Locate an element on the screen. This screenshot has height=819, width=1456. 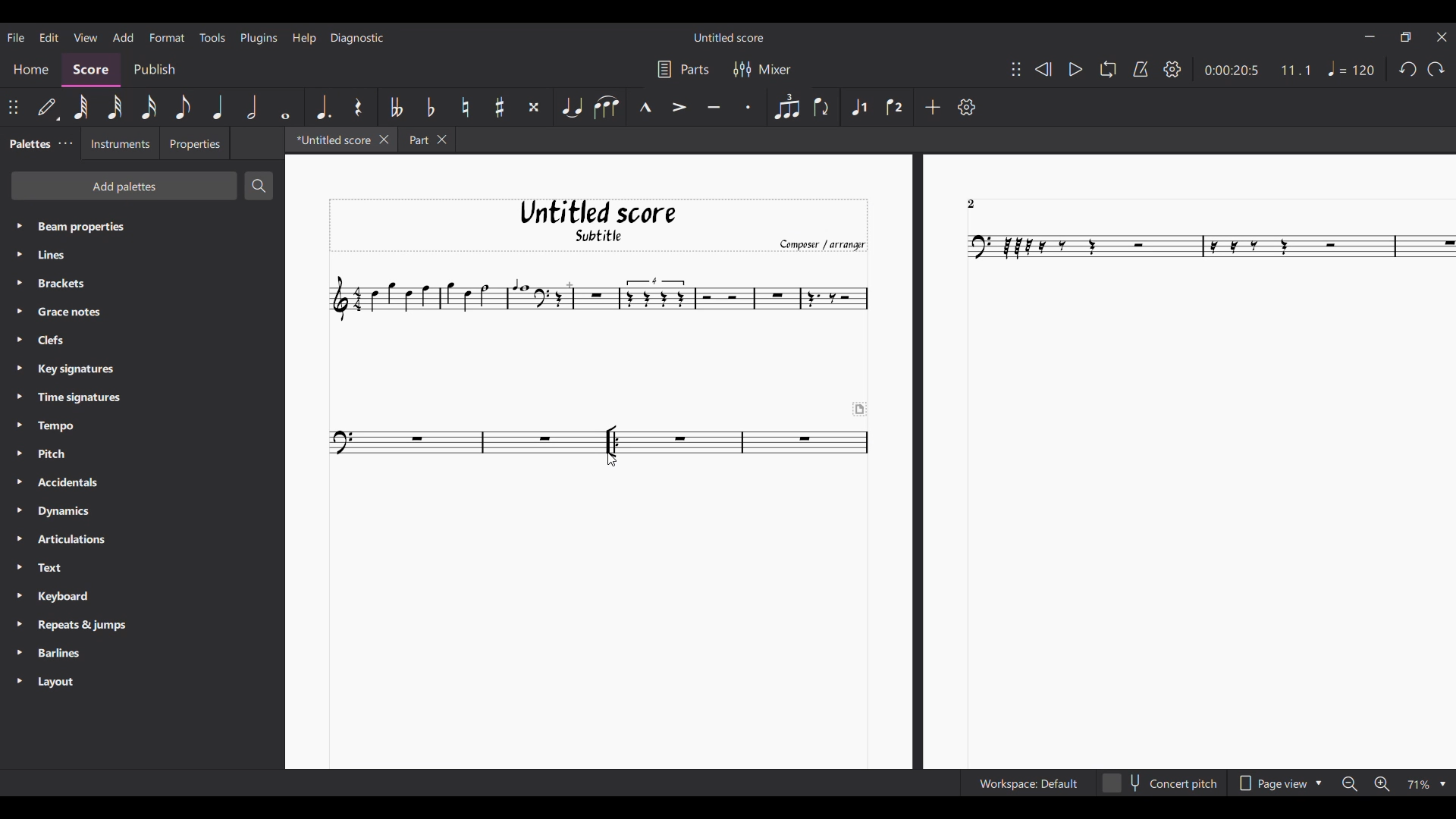
Tenuto is located at coordinates (714, 105).